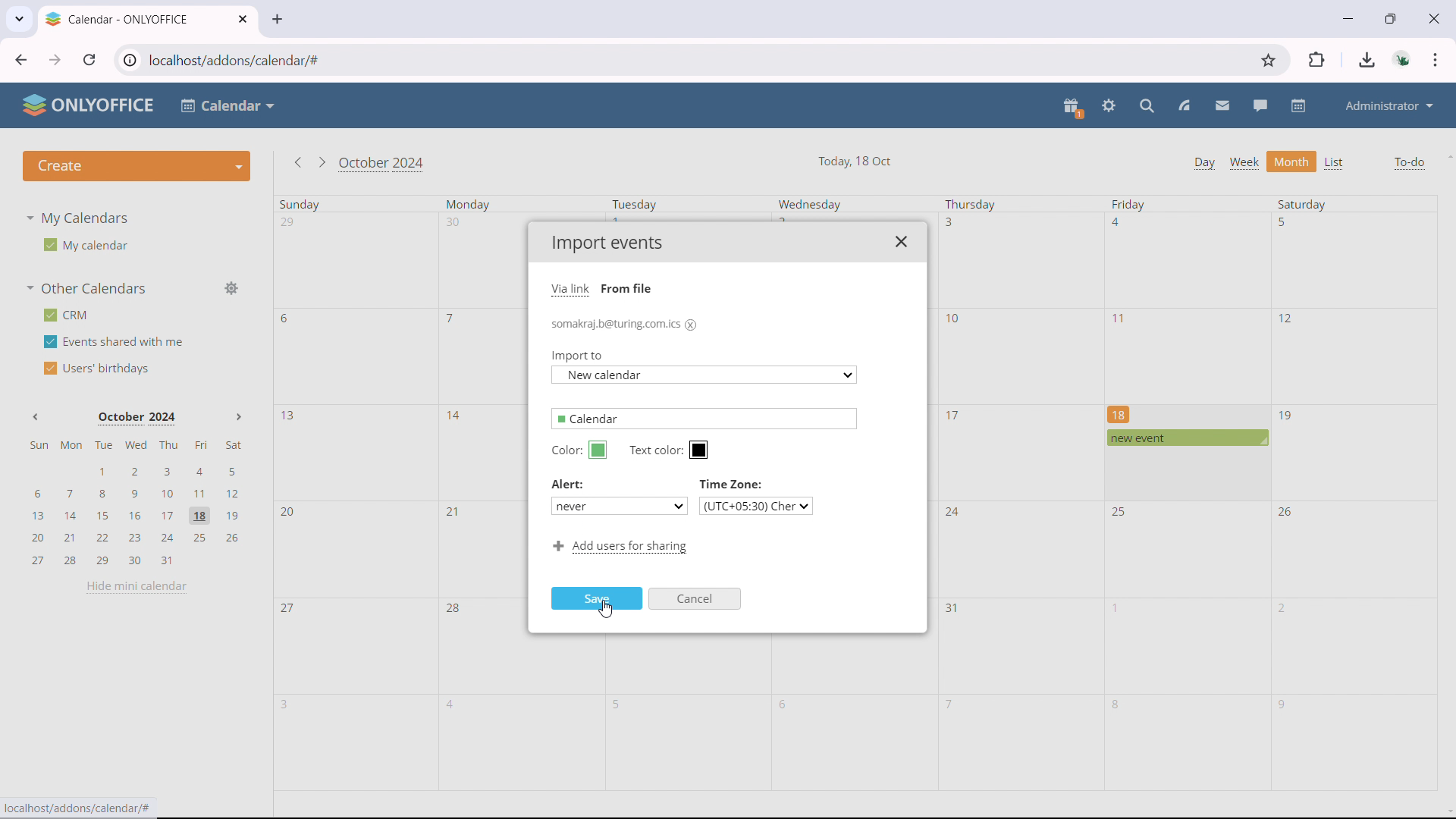 The height and width of the screenshot is (819, 1456). I want to click on customize & control, so click(1436, 60).